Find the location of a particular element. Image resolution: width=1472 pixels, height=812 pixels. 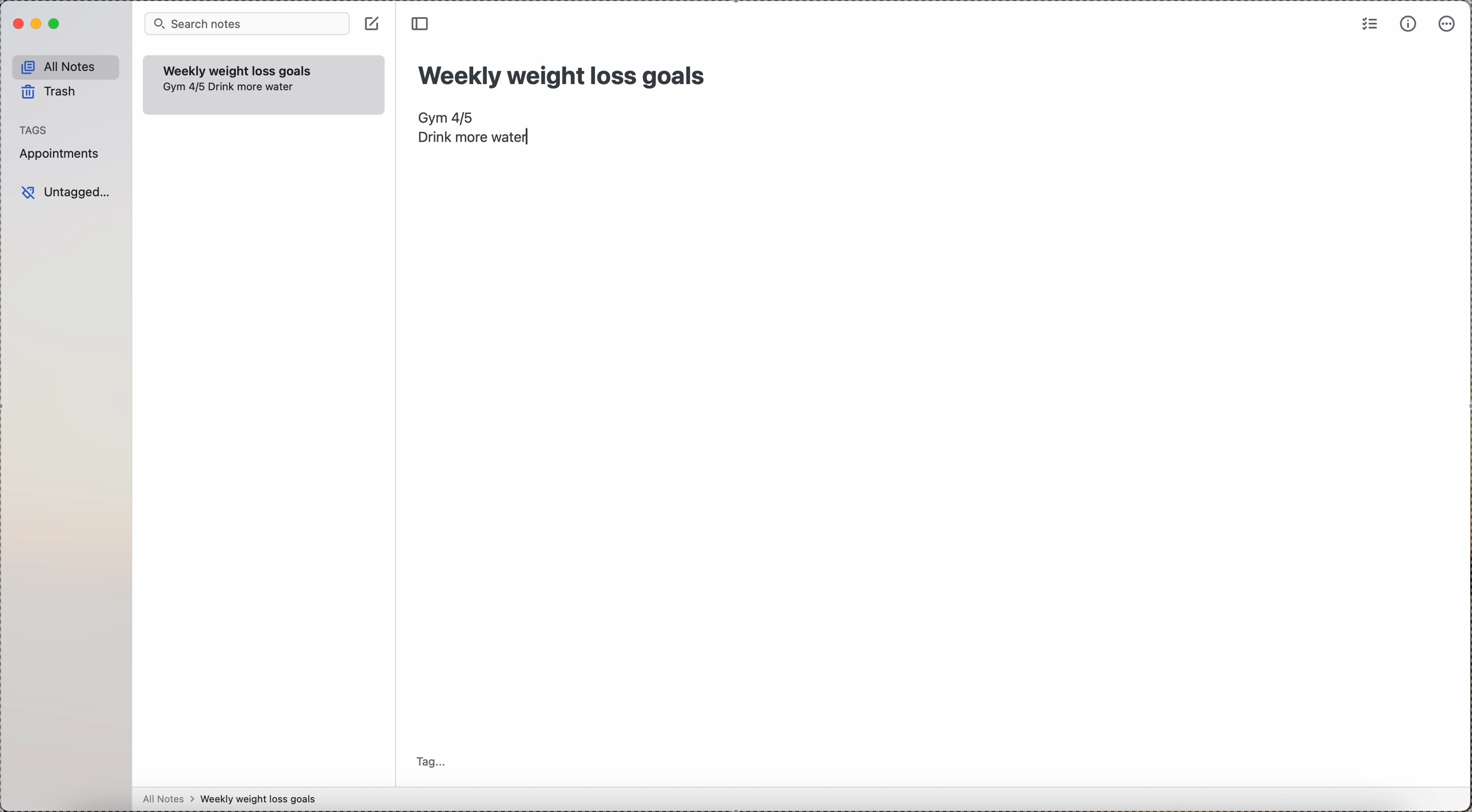

drink more water is located at coordinates (473, 137).